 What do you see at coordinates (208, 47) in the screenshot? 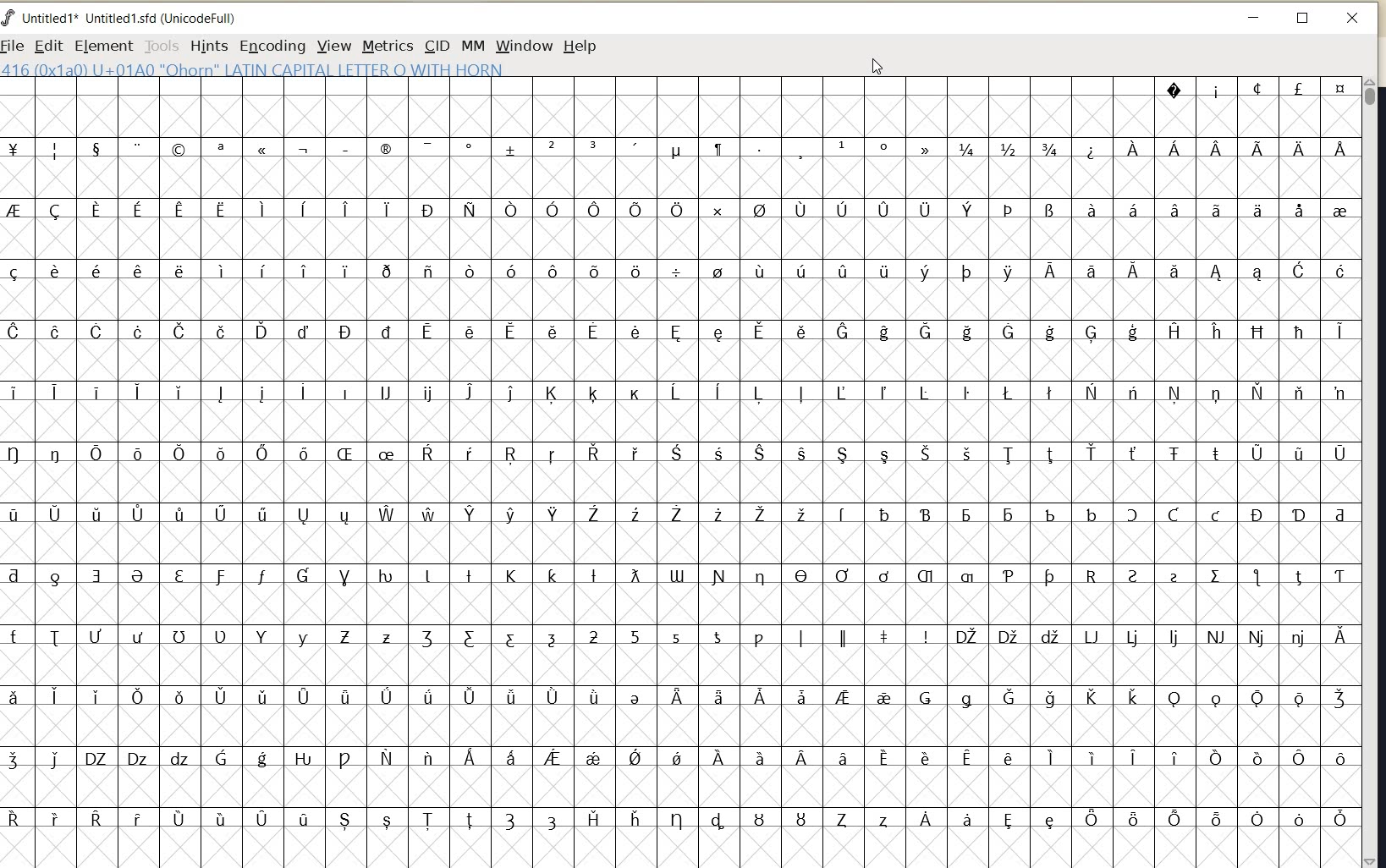
I see `HINTS` at bounding box center [208, 47].